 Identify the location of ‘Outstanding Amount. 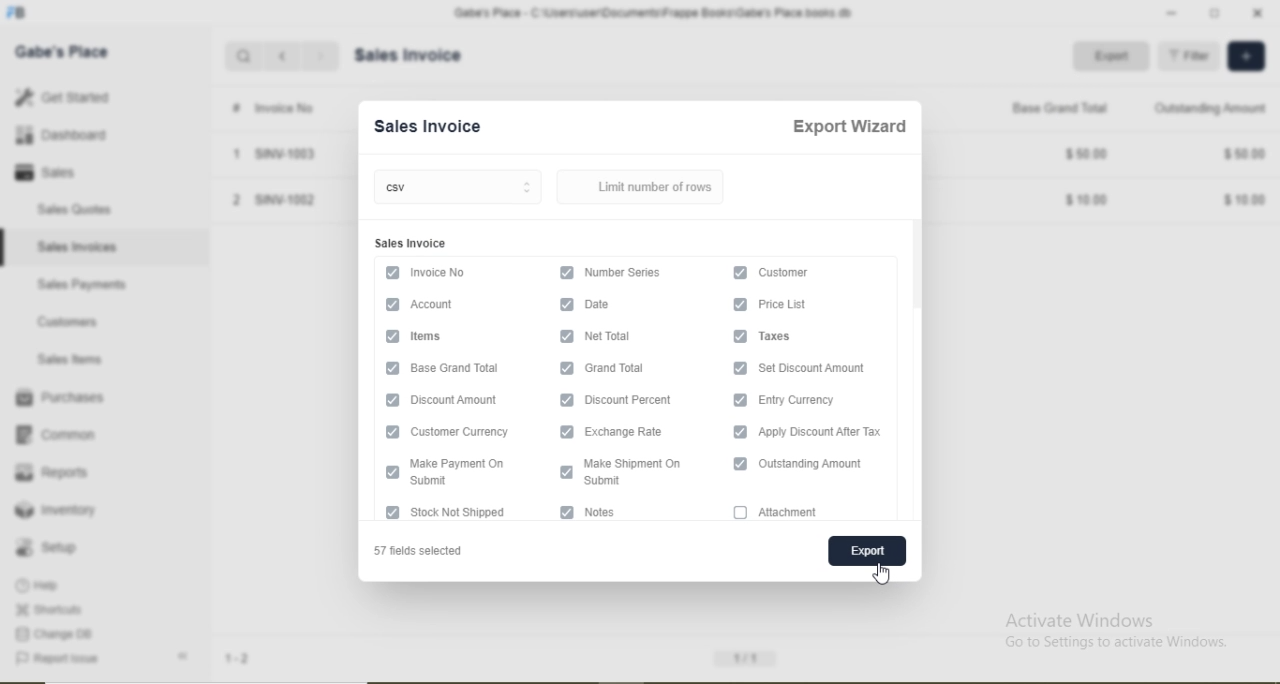
(1212, 107).